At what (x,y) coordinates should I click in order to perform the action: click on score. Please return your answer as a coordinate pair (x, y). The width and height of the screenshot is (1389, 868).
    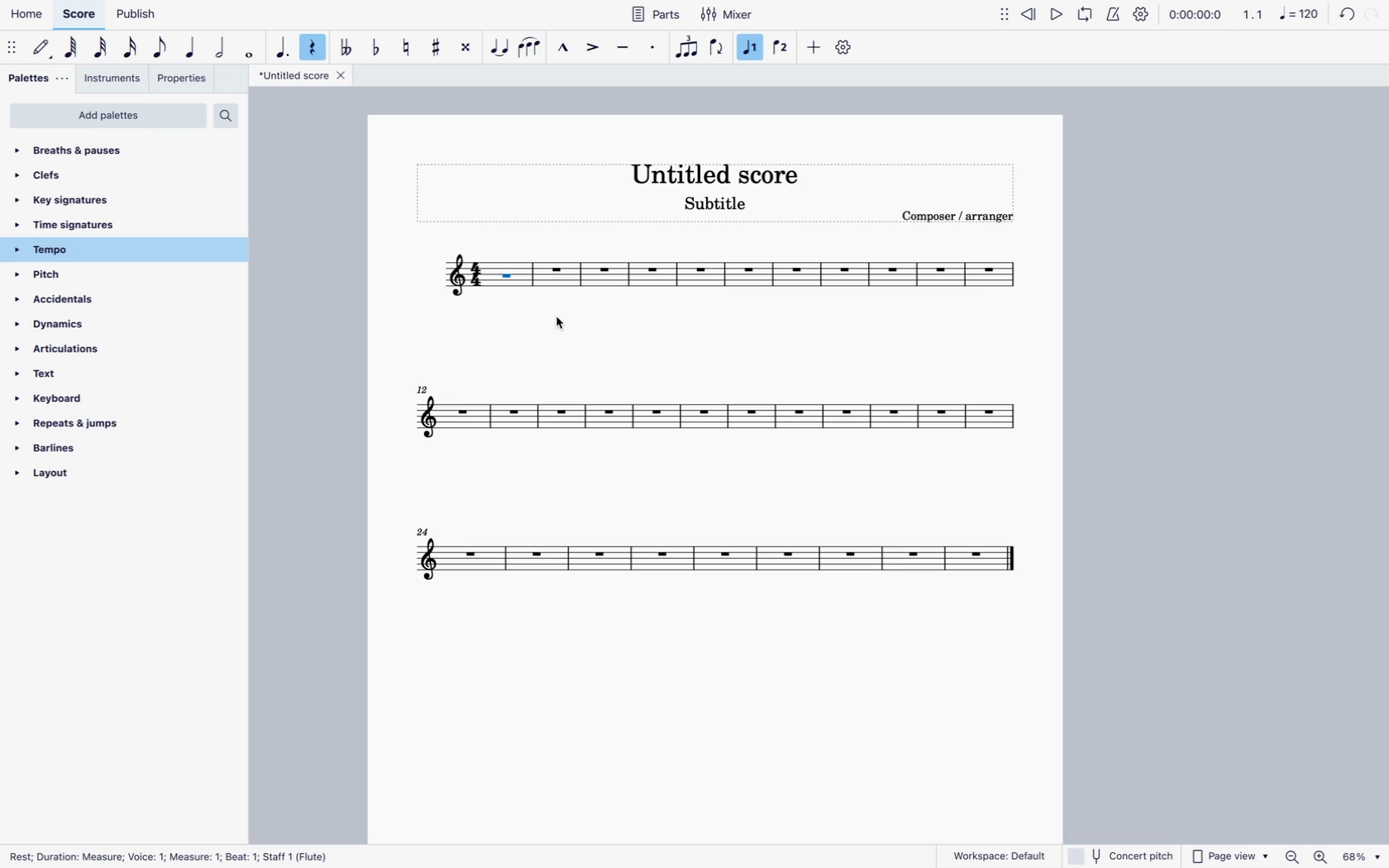
    Looking at the image, I should click on (80, 15).